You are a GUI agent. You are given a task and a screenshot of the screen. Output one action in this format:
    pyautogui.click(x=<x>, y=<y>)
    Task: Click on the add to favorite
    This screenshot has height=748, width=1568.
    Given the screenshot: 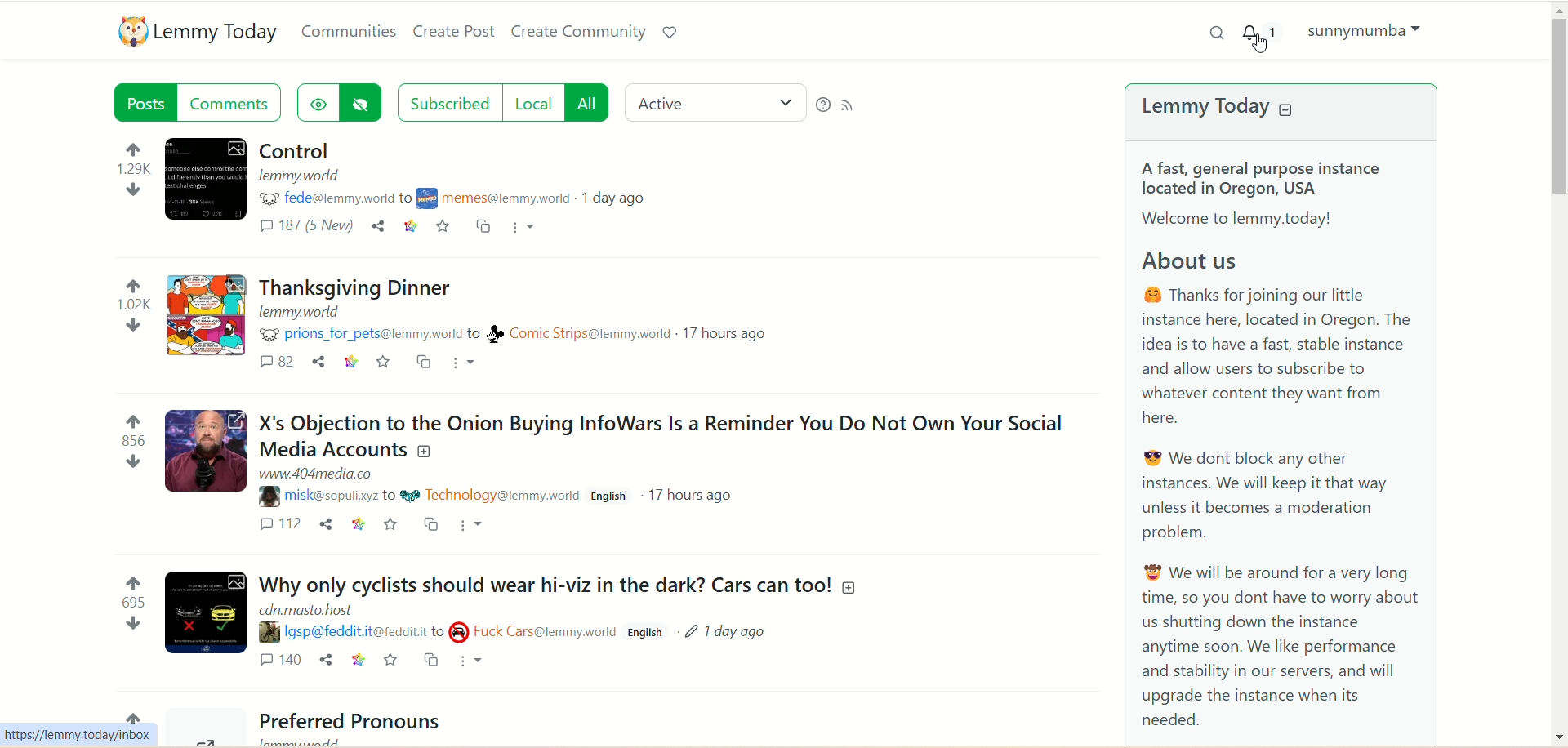 What is the action you would take?
    pyautogui.click(x=445, y=225)
    